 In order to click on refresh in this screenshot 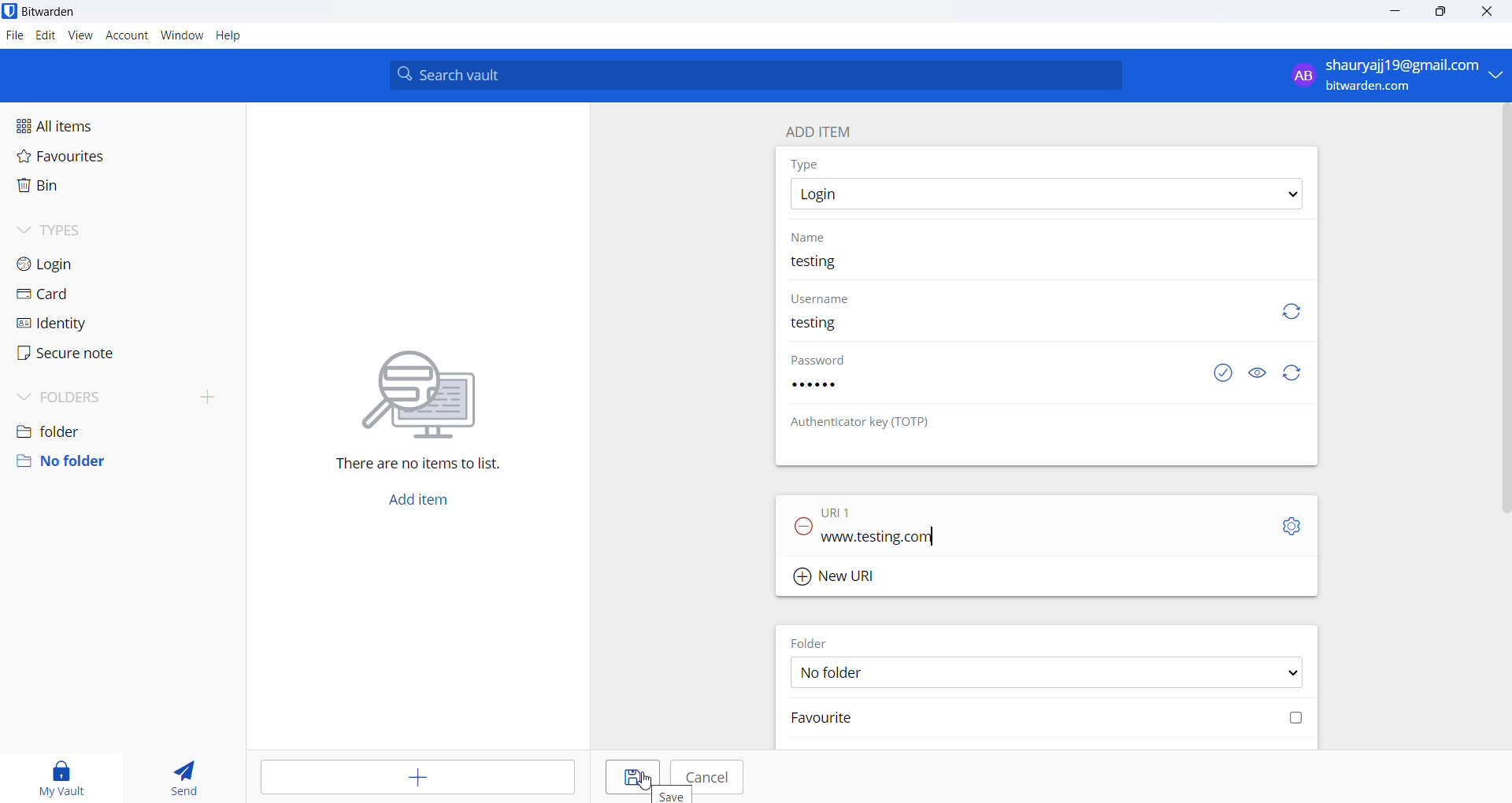, I will do `click(1288, 311)`.